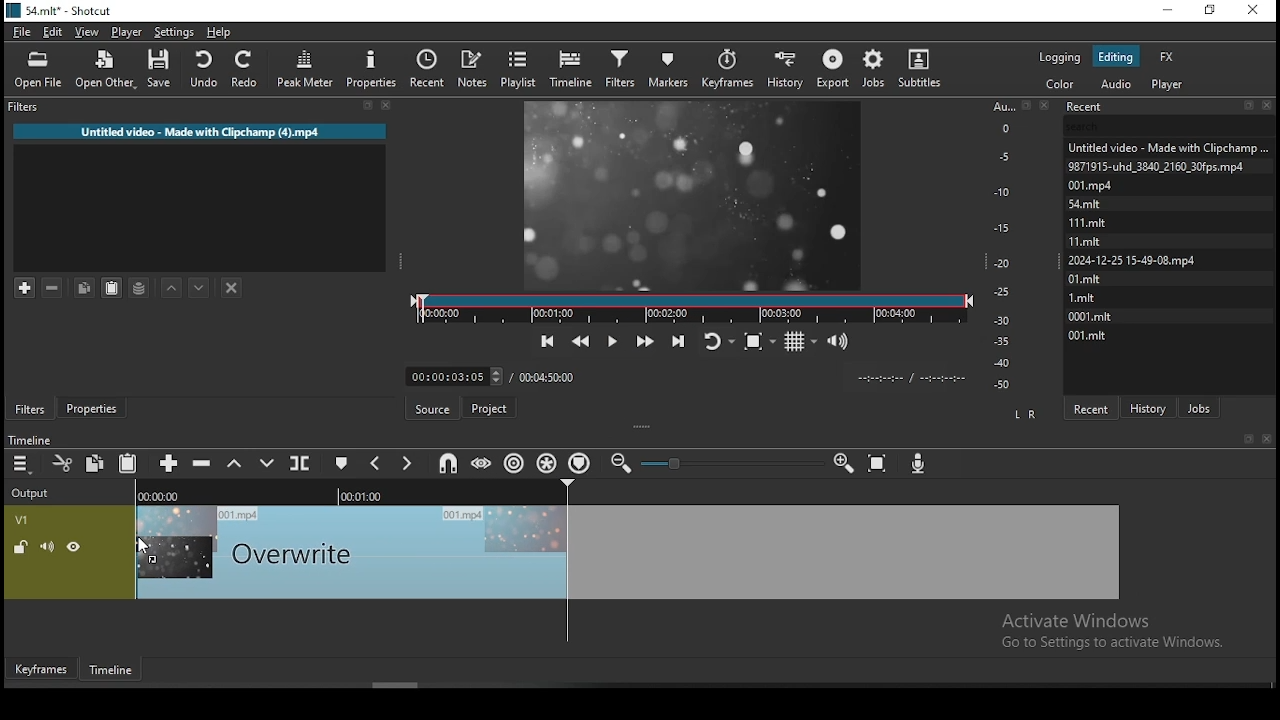 Image resolution: width=1280 pixels, height=720 pixels. What do you see at coordinates (431, 68) in the screenshot?
I see `recent` at bounding box center [431, 68].